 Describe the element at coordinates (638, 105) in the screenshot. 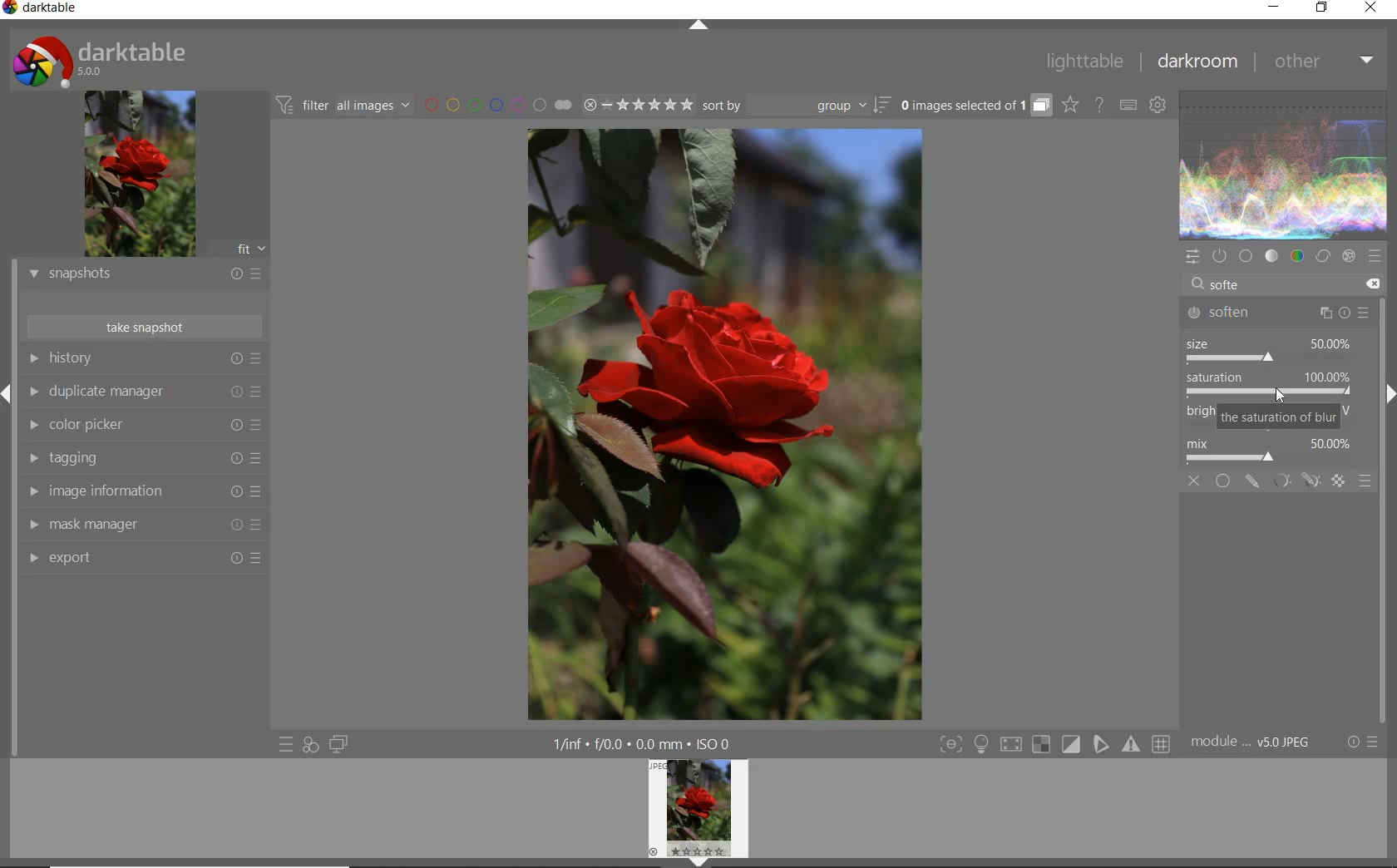

I see `range ratings for selected images` at that location.